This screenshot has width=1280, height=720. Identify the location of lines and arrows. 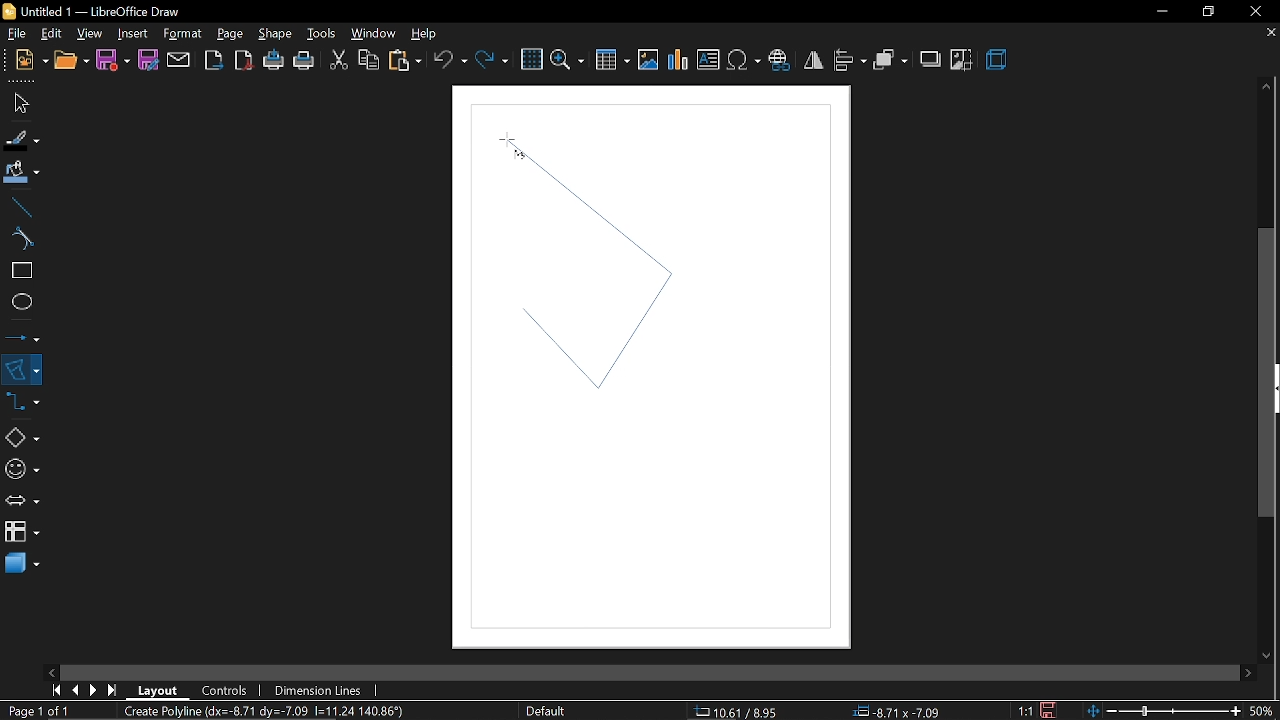
(23, 334).